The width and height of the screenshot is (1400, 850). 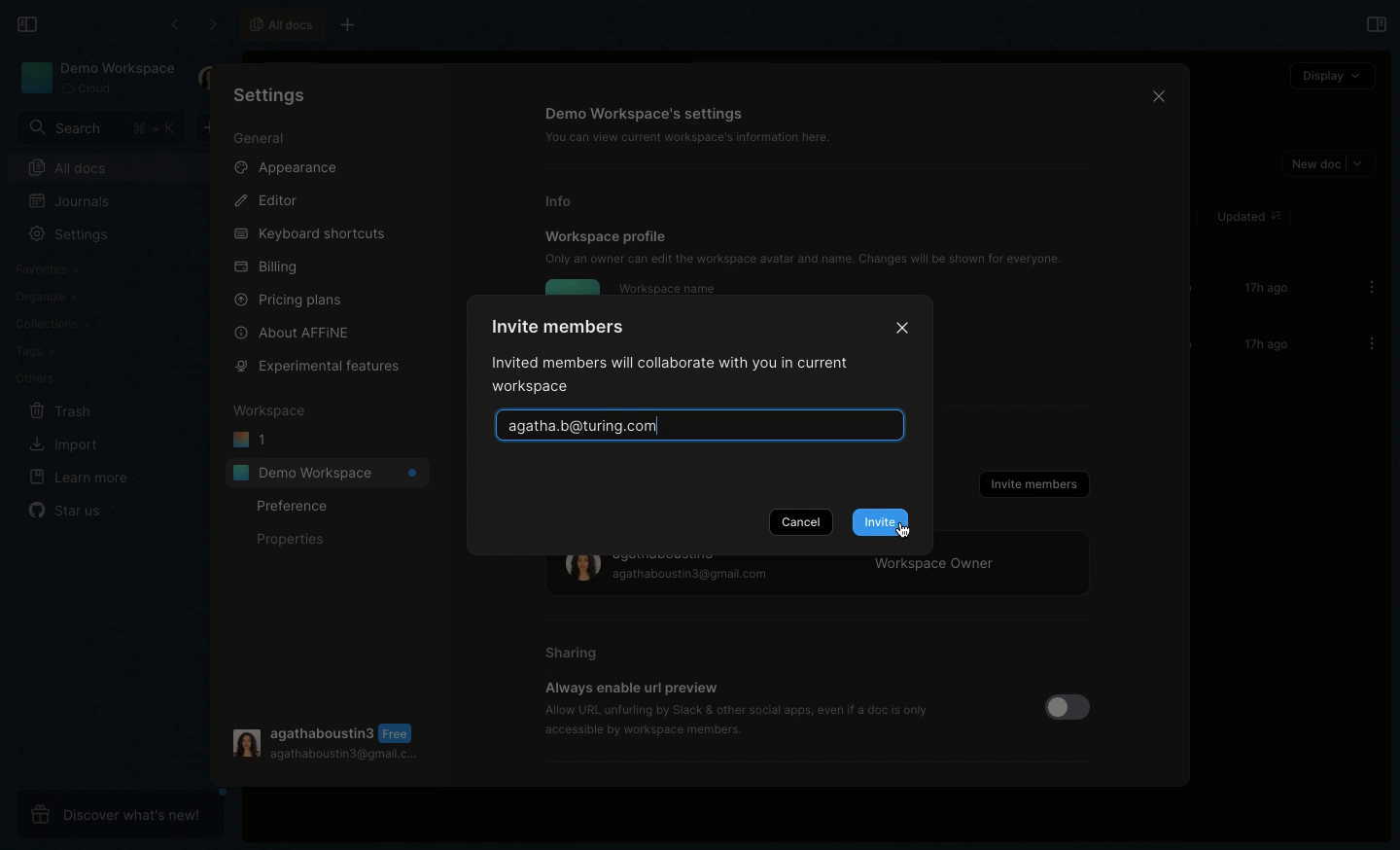 I want to click on Forward, so click(x=210, y=23).